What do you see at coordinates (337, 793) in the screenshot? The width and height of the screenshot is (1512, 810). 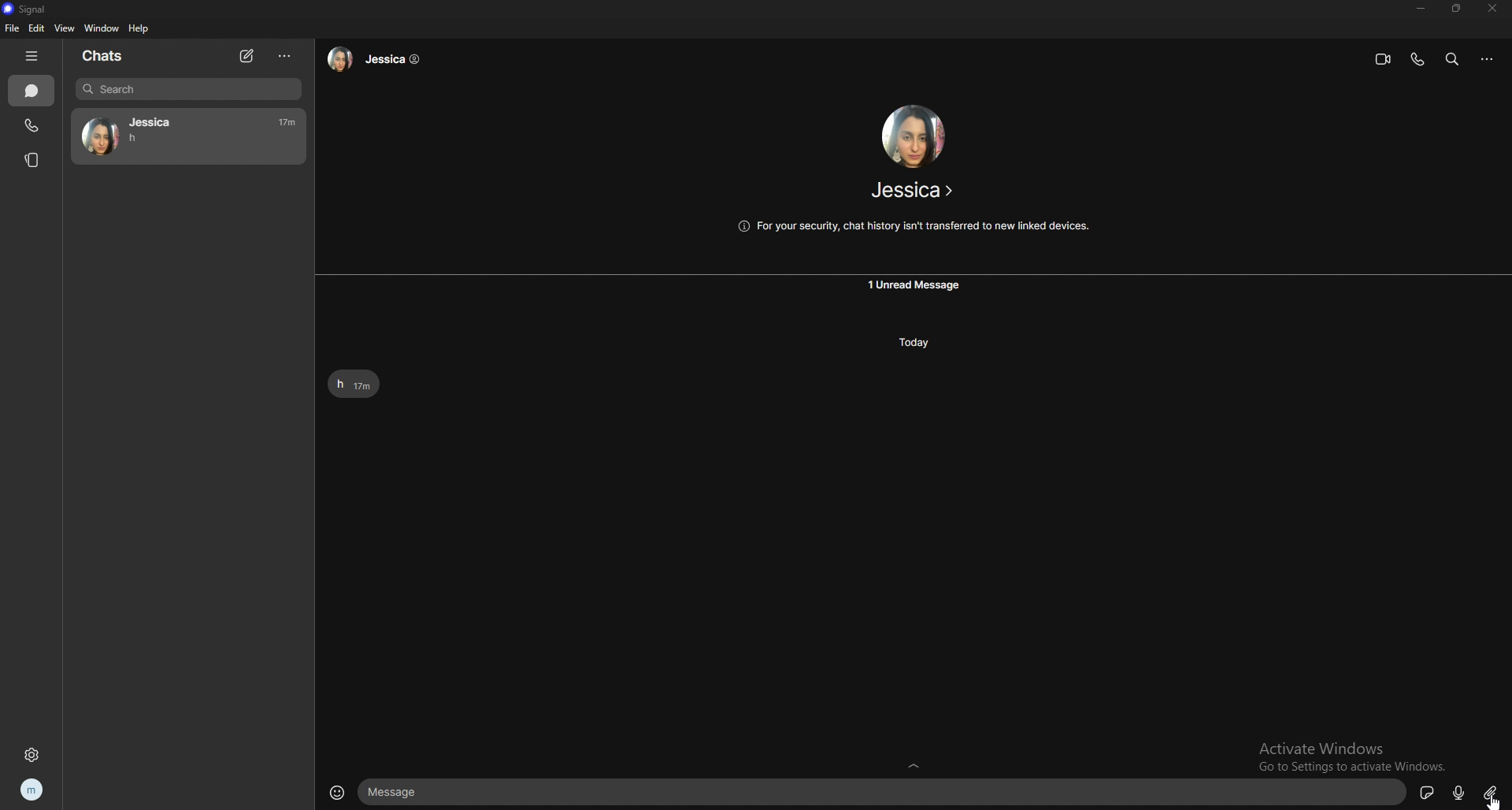 I see `emojis` at bounding box center [337, 793].